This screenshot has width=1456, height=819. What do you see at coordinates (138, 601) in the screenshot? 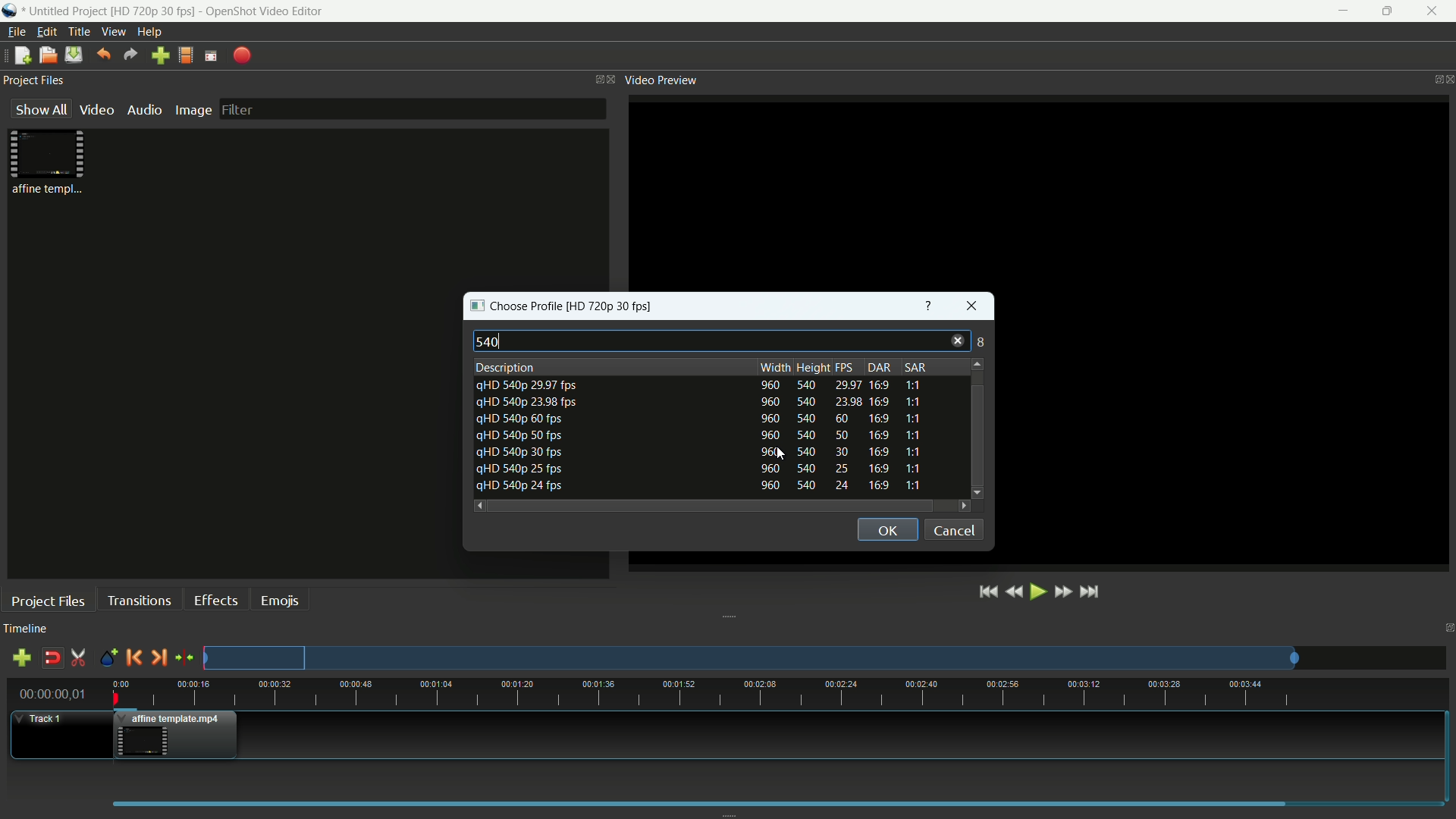
I see `transitions` at bounding box center [138, 601].